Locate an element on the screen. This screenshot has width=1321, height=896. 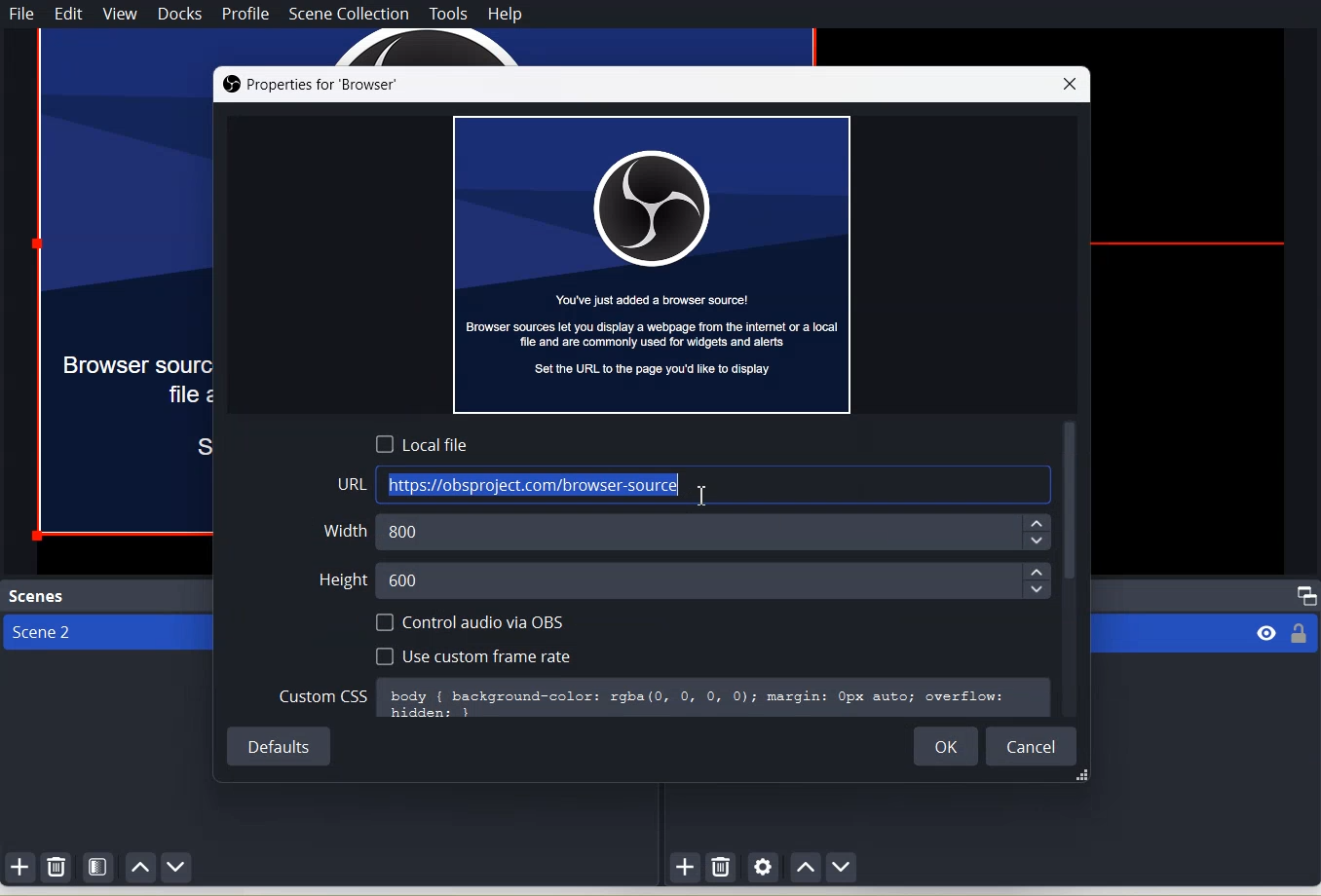
Help is located at coordinates (506, 14).